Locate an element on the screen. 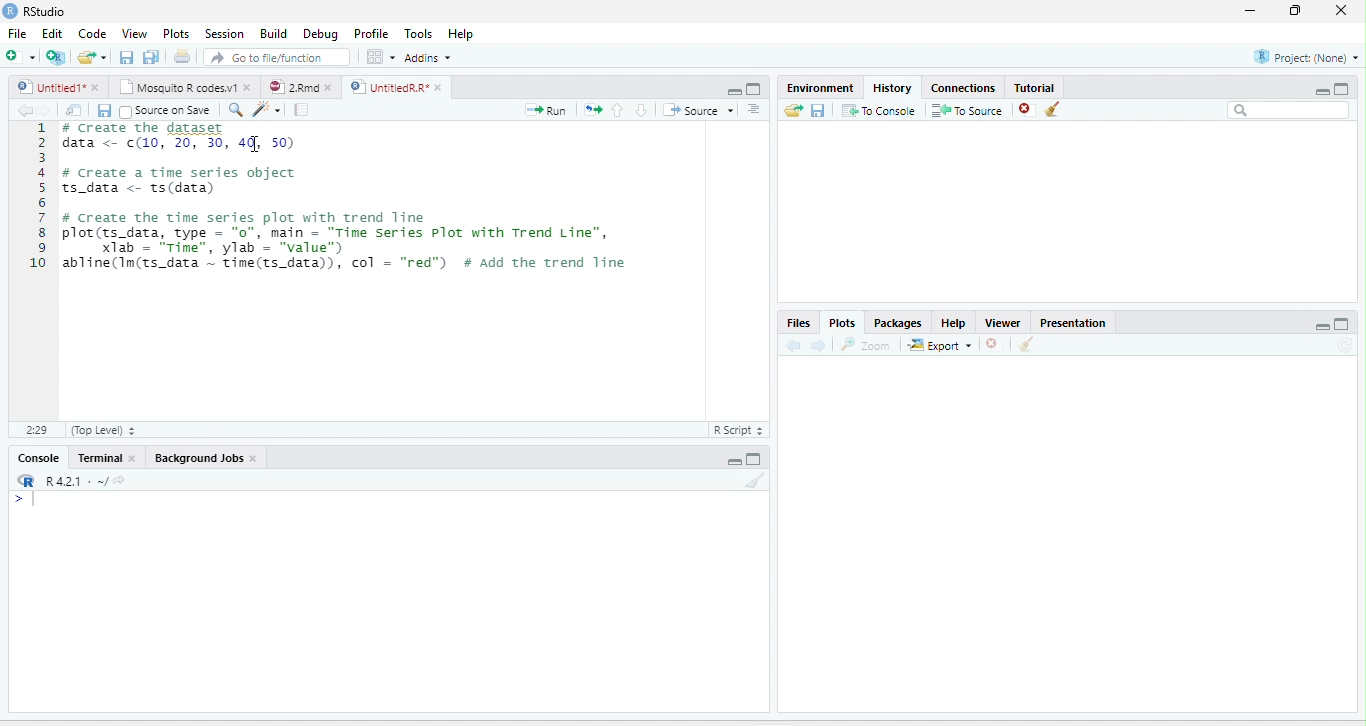  Show in new window is located at coordinates (74, 109).